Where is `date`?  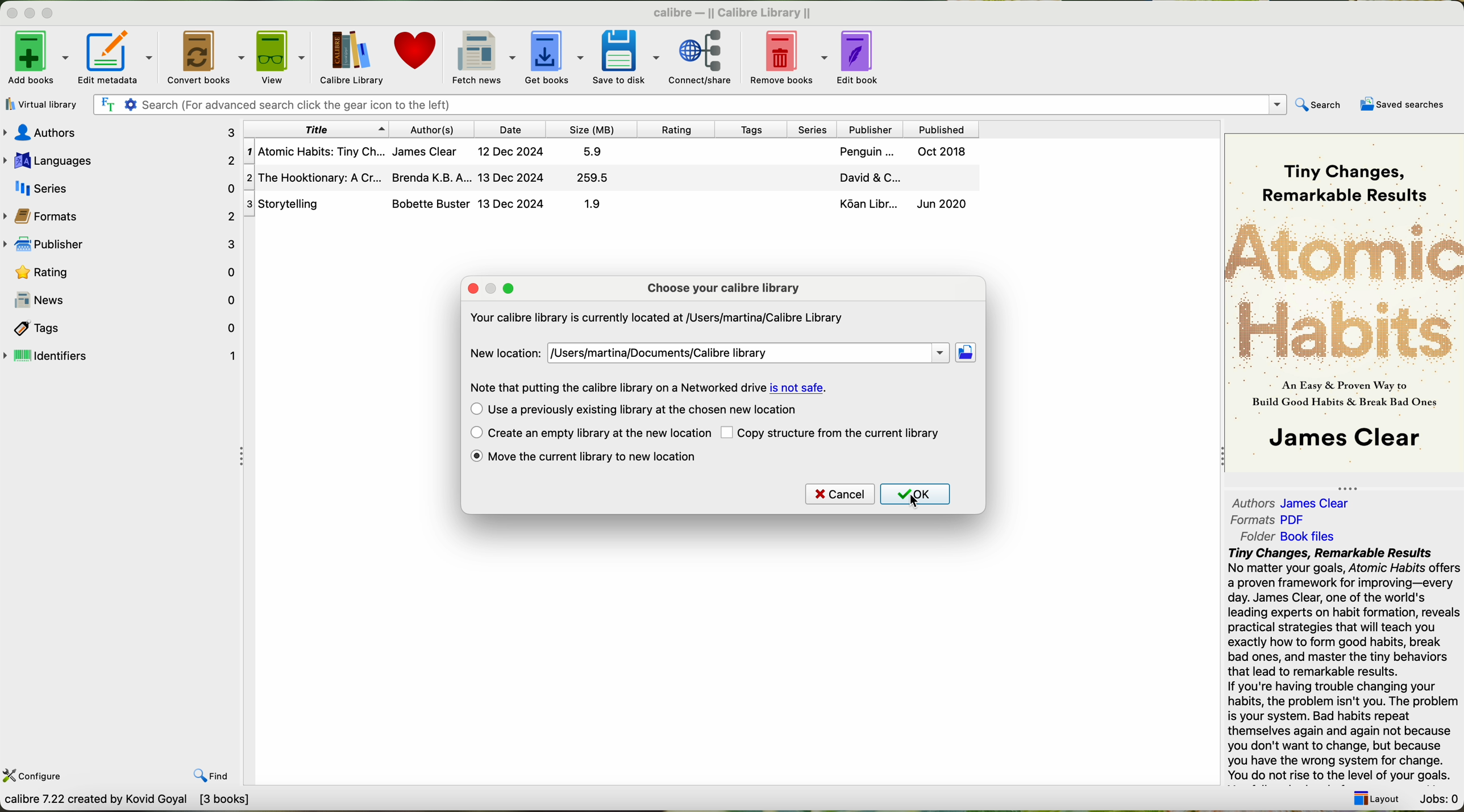
date is located at coordinates (513, 129).